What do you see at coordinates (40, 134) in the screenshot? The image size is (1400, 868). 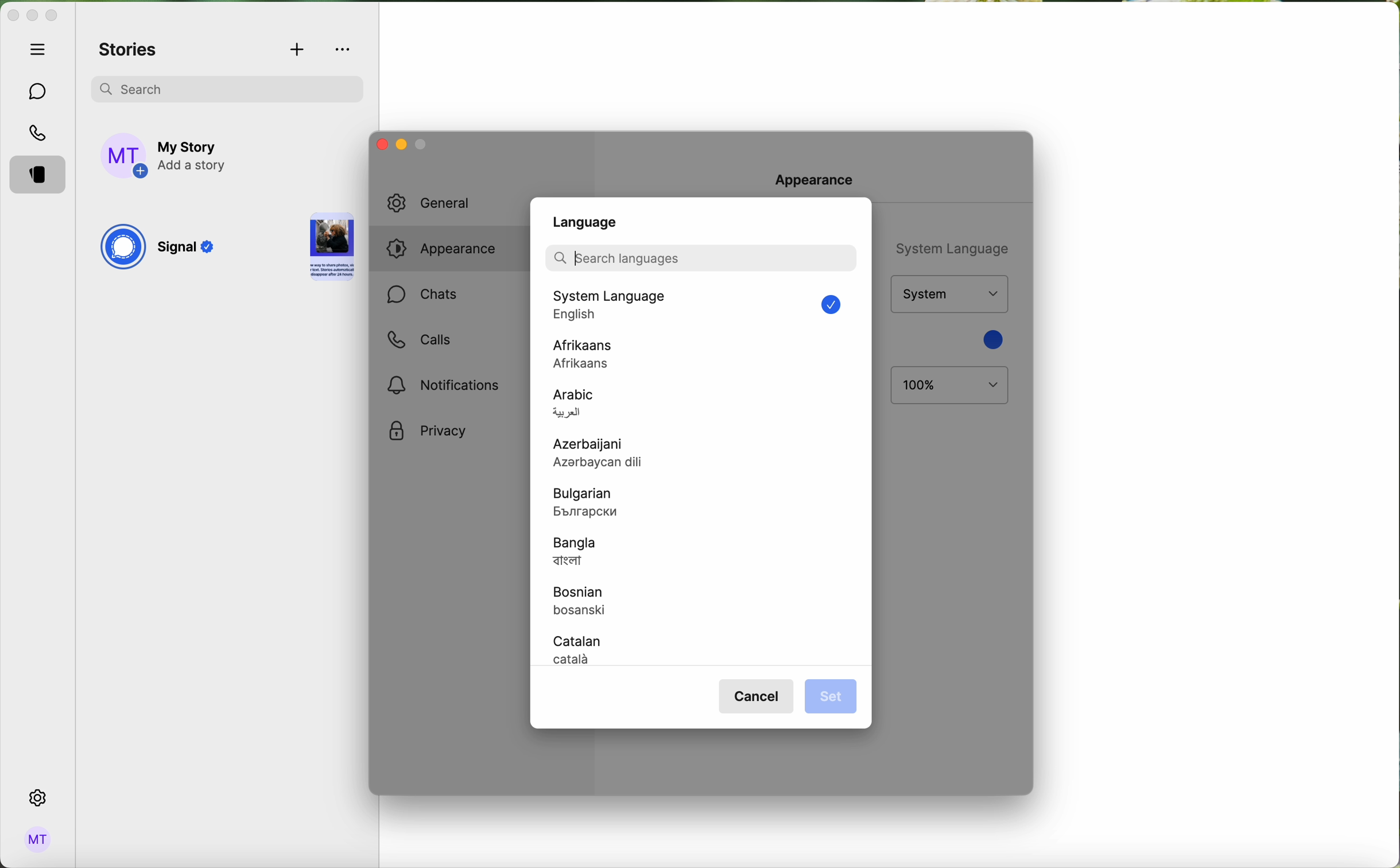 I see `calls` at bounding box center [40, 134].